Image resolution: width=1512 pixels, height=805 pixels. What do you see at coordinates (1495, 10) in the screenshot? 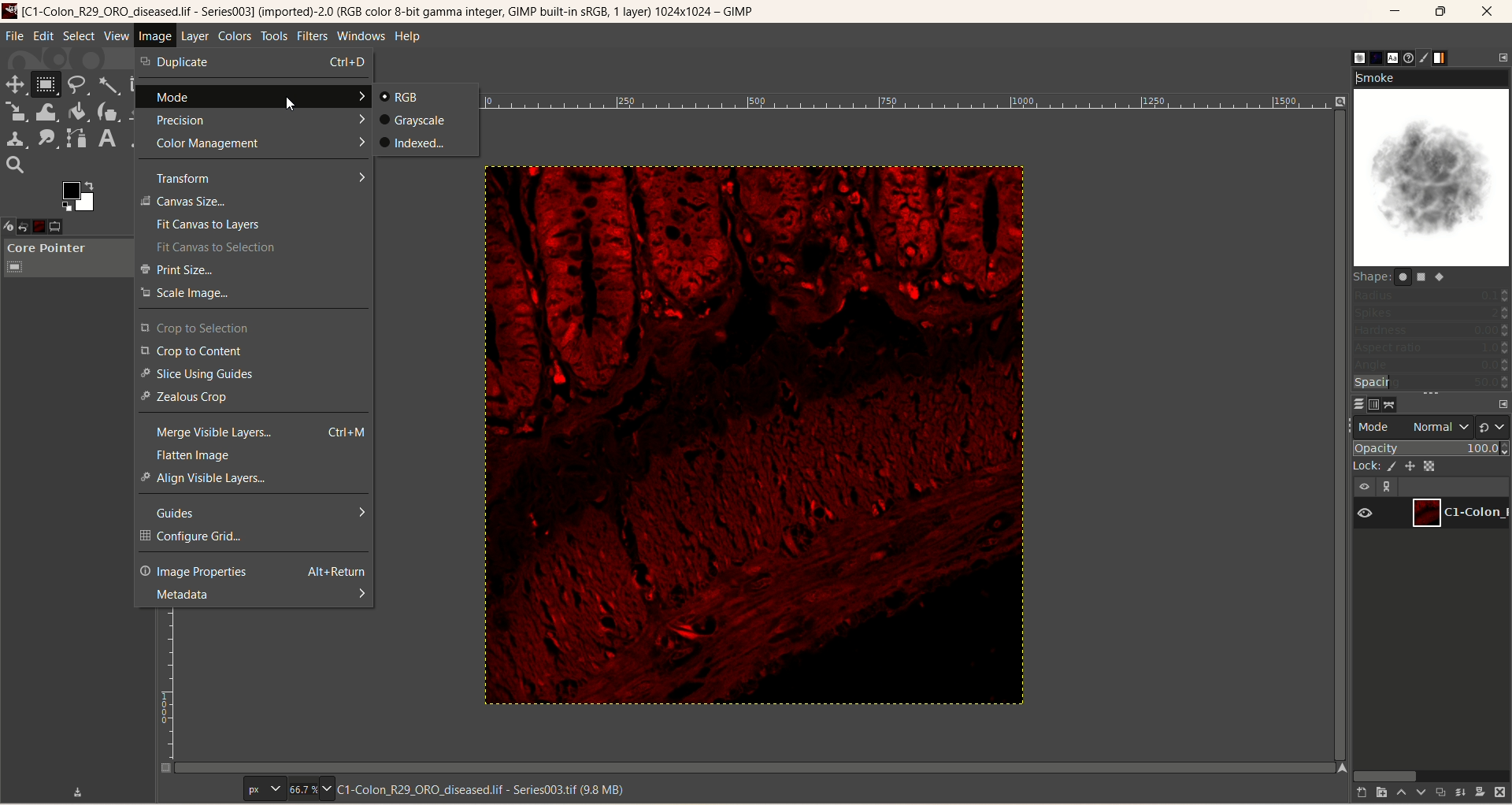
I see `close` at bounding box center [1495, 10].